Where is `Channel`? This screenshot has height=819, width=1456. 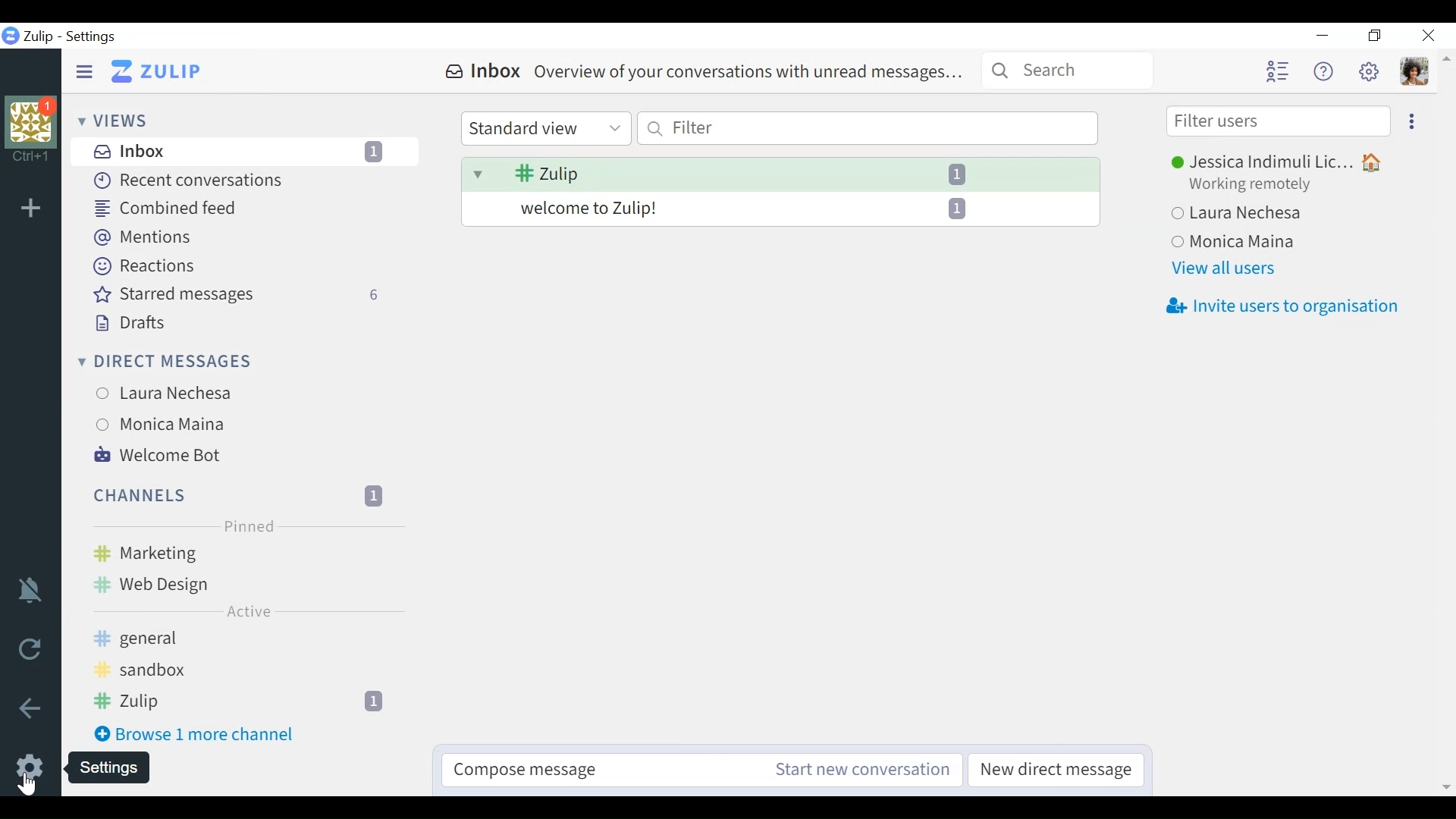 Channel is located at coordinates (244, 701).